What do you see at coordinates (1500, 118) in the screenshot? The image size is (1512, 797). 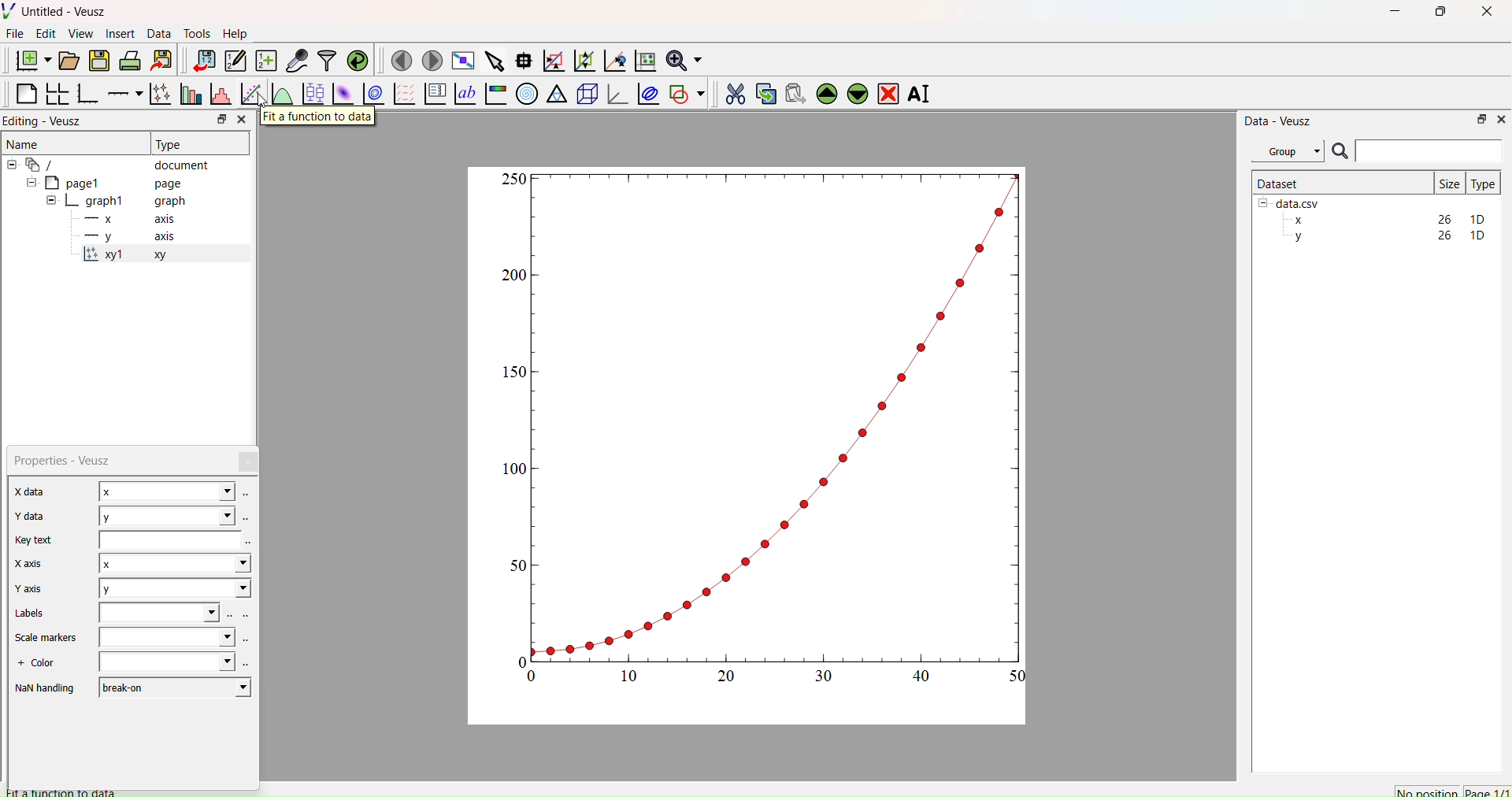 I see `Close` at bounding box center [1500, 118].